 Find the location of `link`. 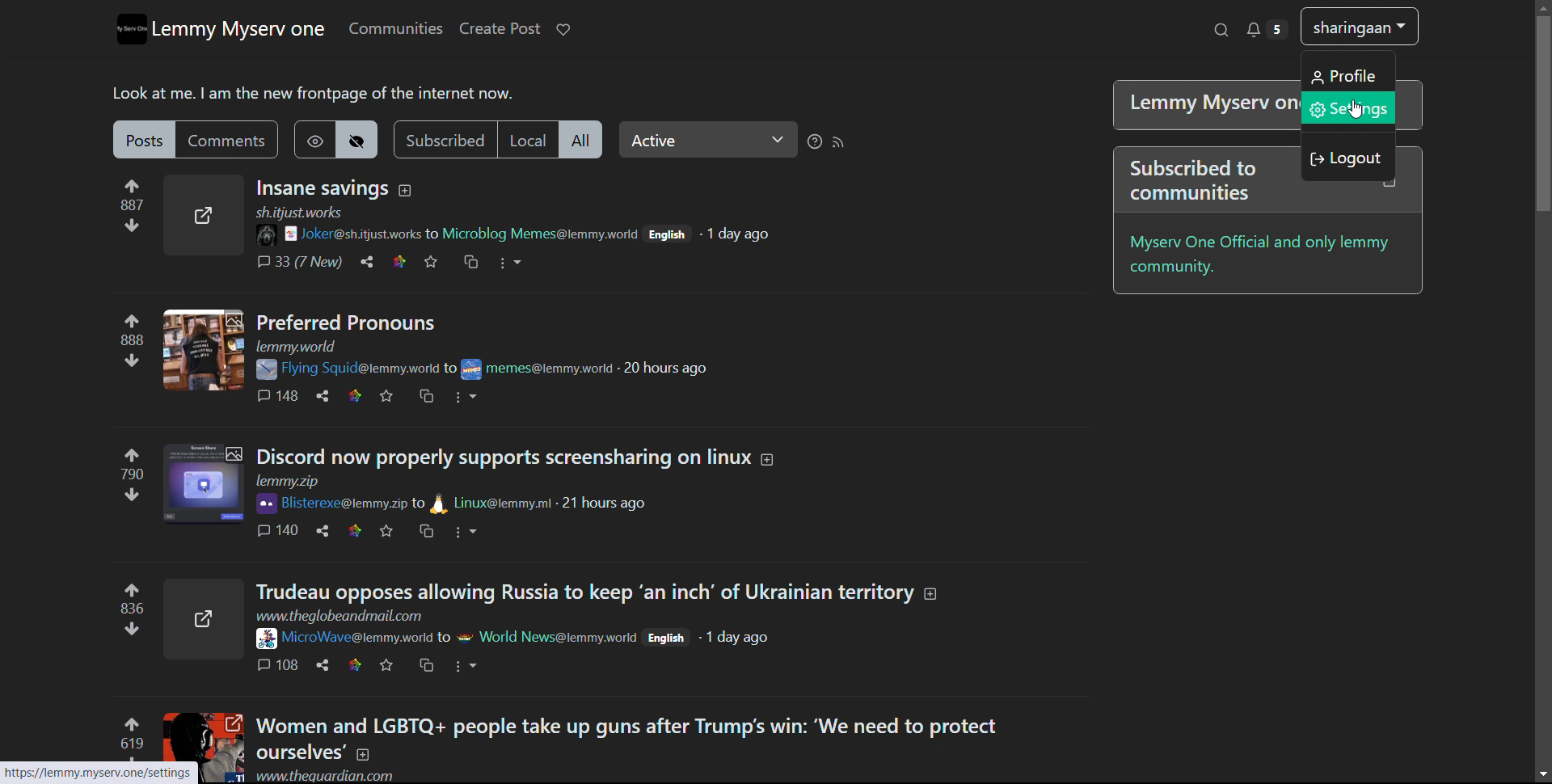

link is located at coordinates (398, 263).